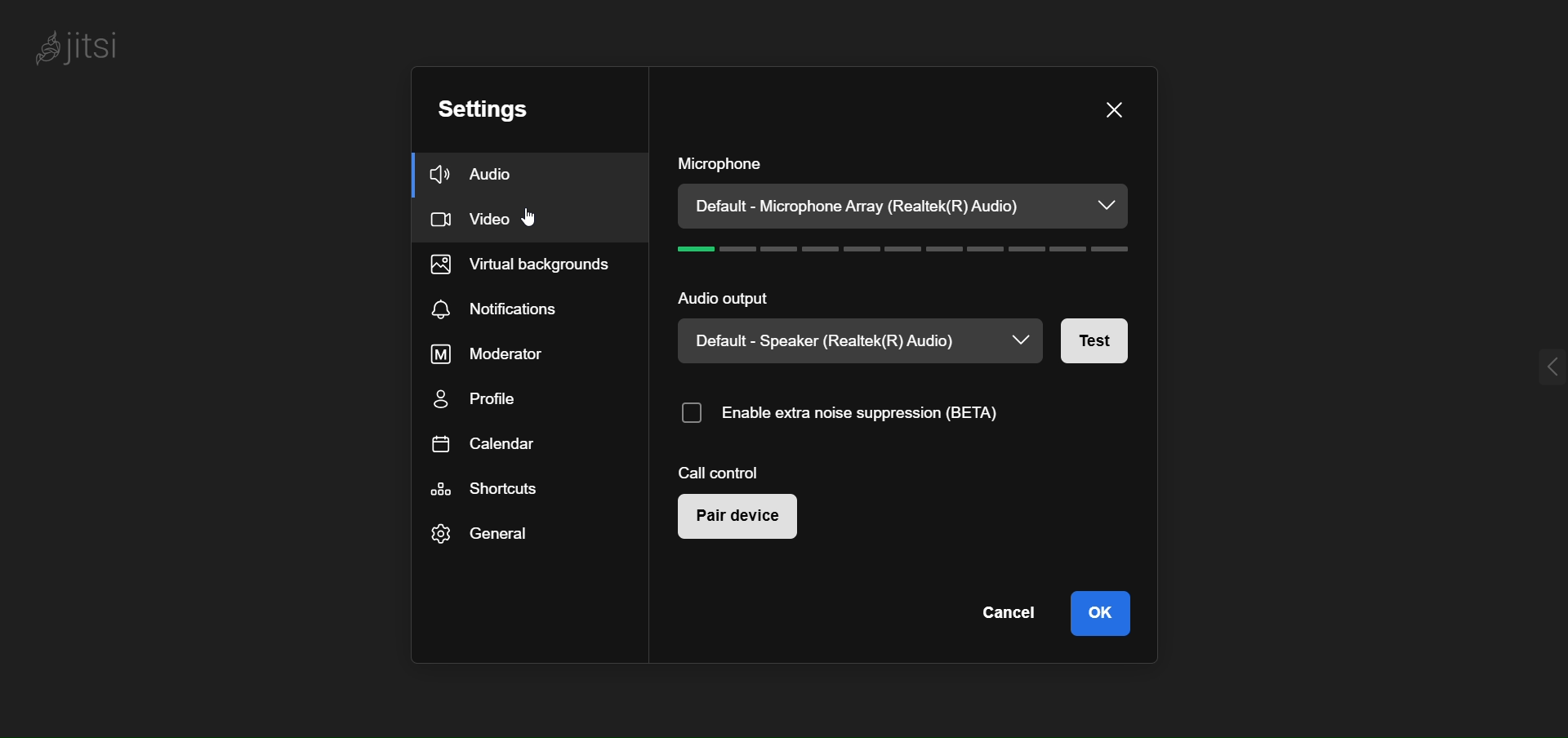 The height and width of the screenshot is (738, 1568). Describe the element at coordinates (1108, 203) in the screenshot. I see `dropdown` at that location.